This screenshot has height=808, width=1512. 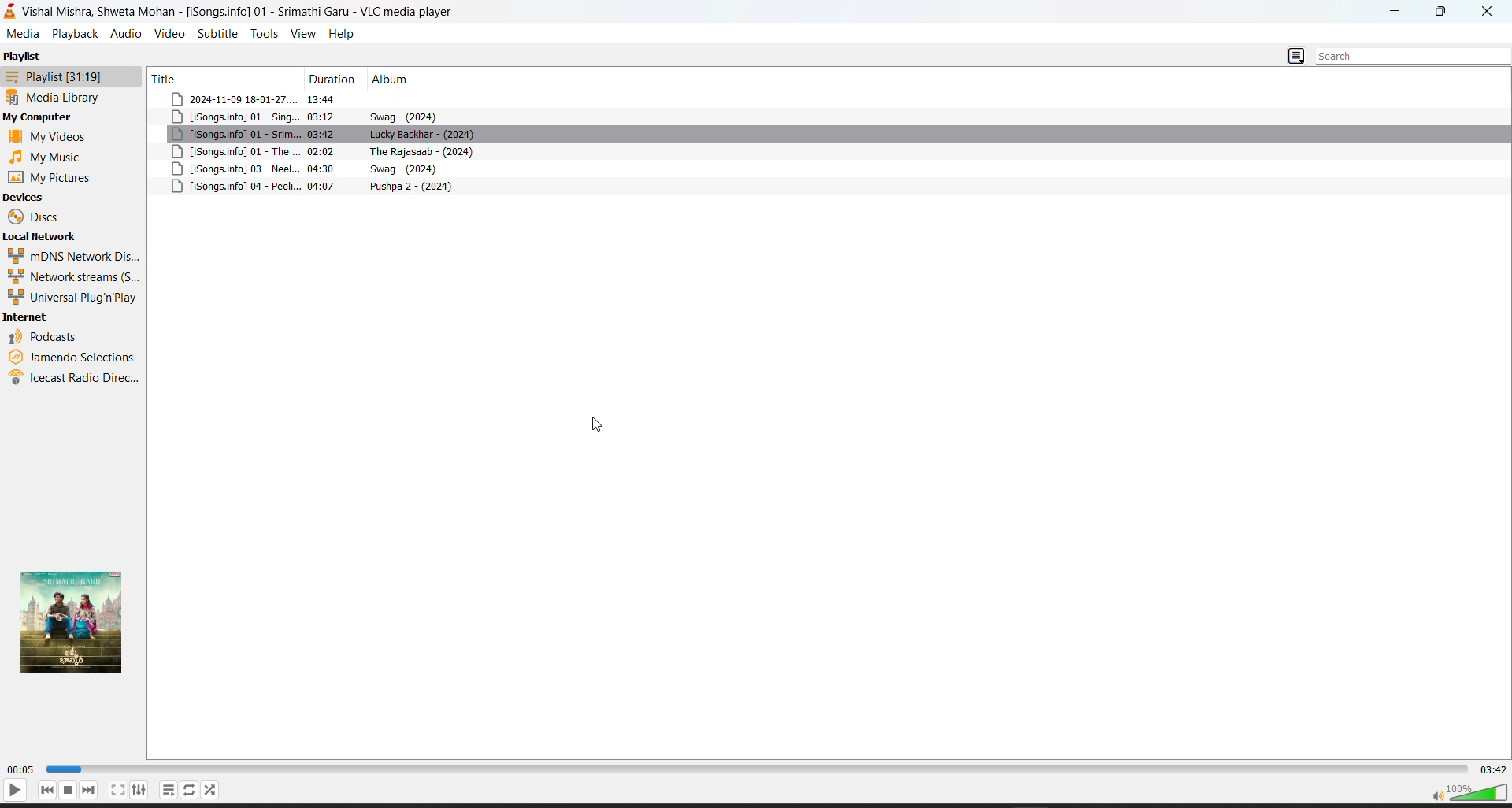 What do you see at coordinates (117, 790) in the screenshot?
I see `fullscreen` at bounding box center [117, 790].